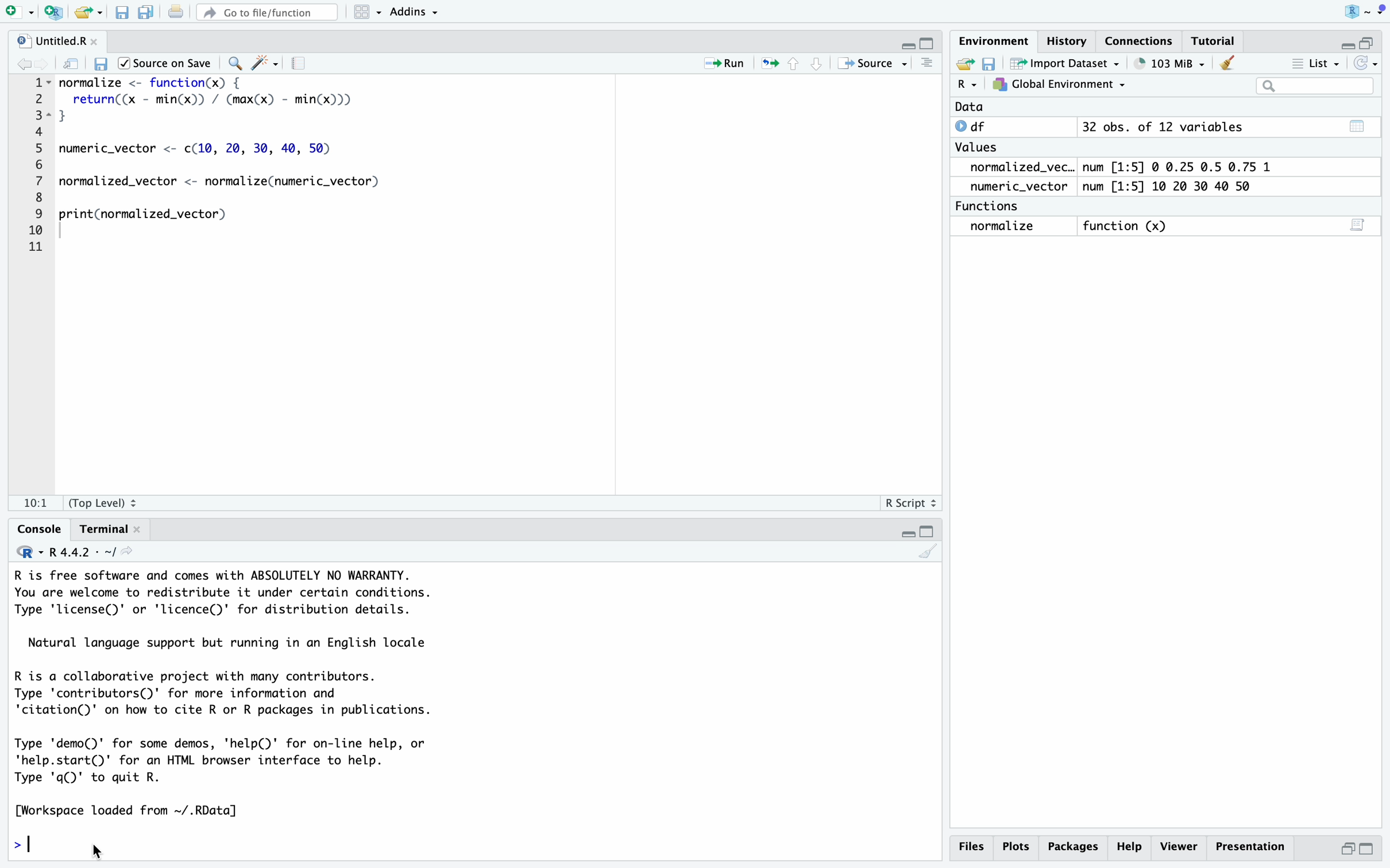  What do you see at coordinates (967, 87) in the screenshot?
I see `R` at bounding box center [967, 87].